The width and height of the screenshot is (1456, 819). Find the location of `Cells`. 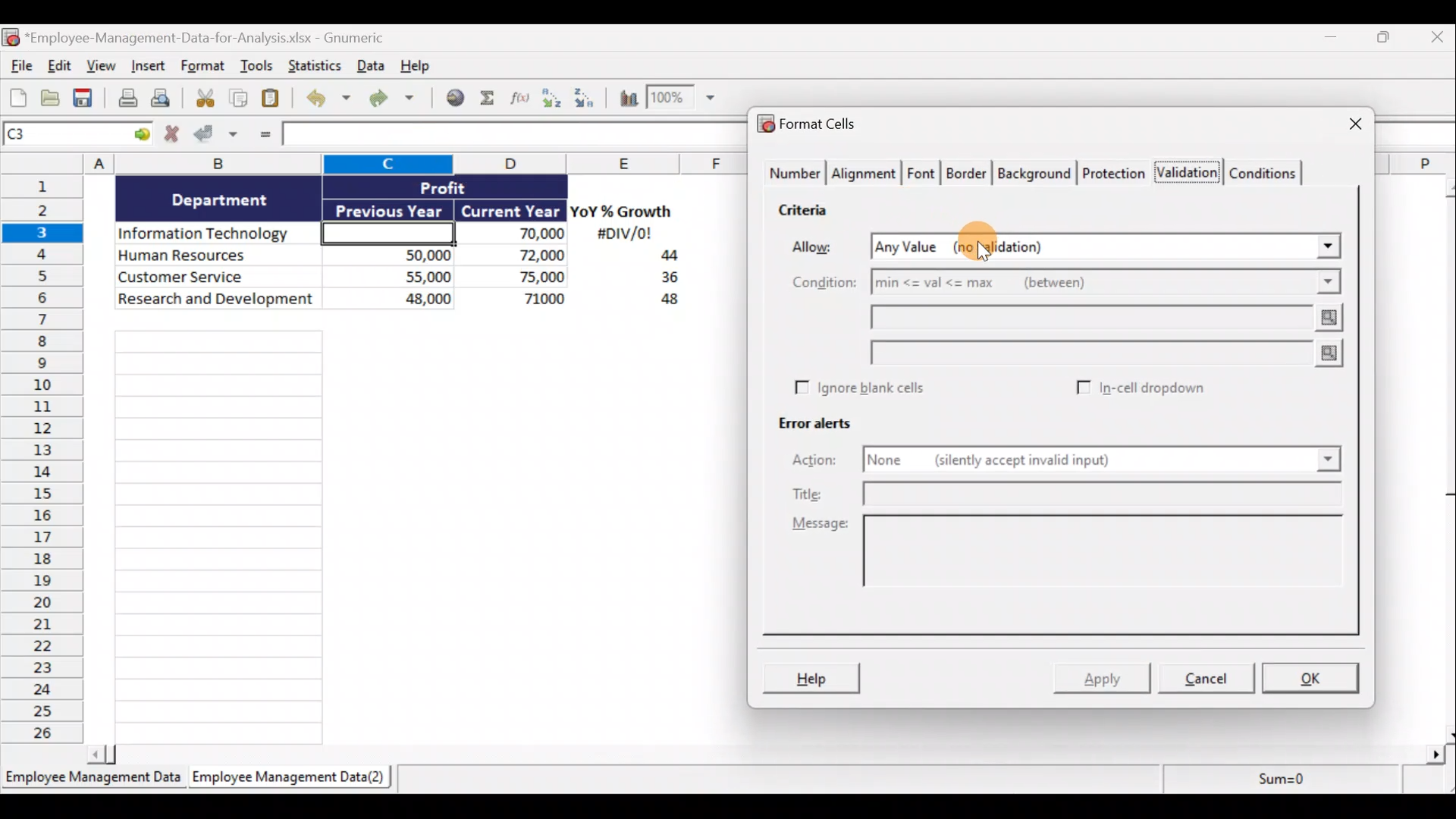

Cells is located at coordinates (408, 531).